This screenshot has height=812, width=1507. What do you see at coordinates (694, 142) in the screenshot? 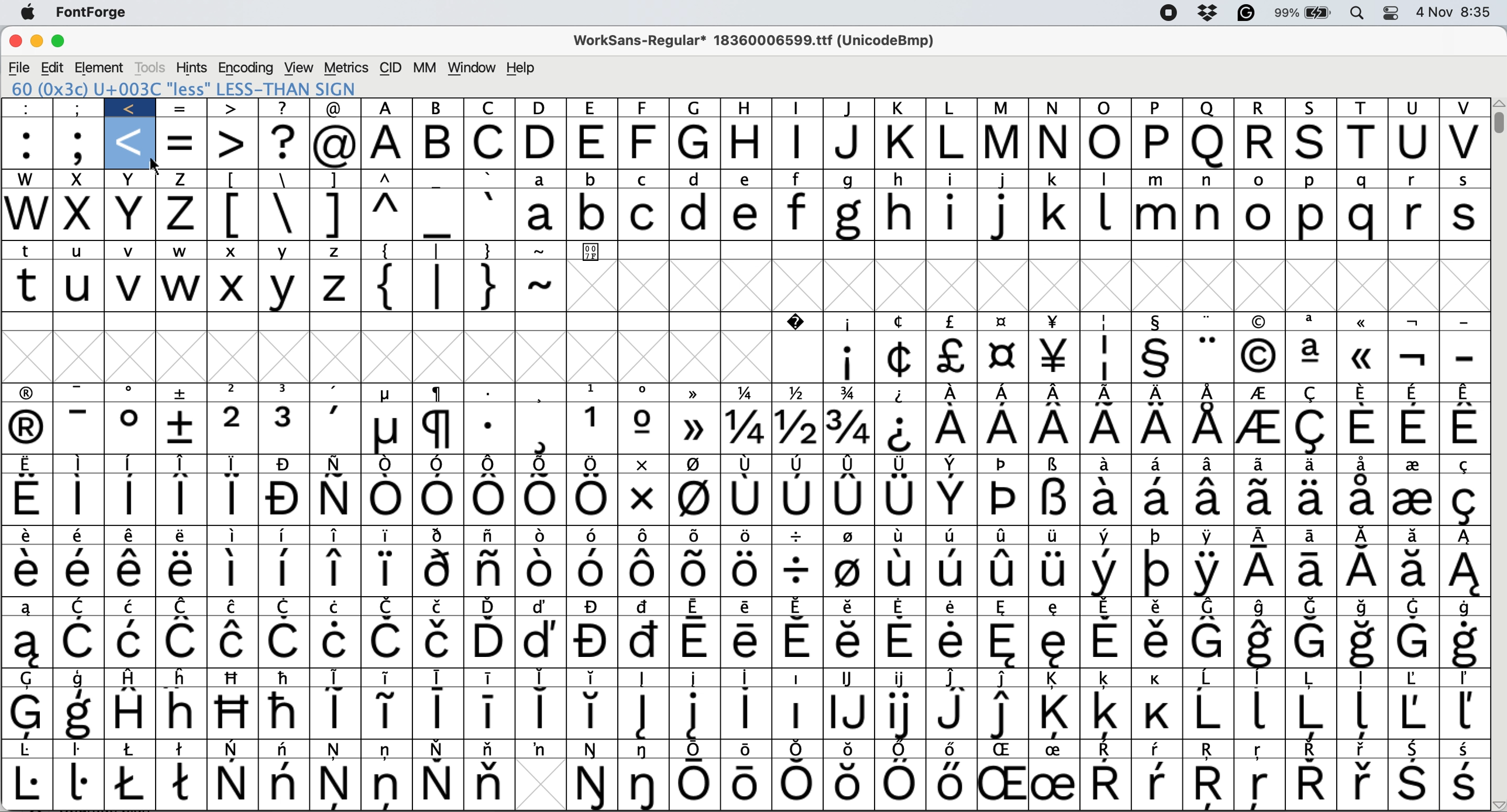
I see `g` at bounding box center [694, 142].